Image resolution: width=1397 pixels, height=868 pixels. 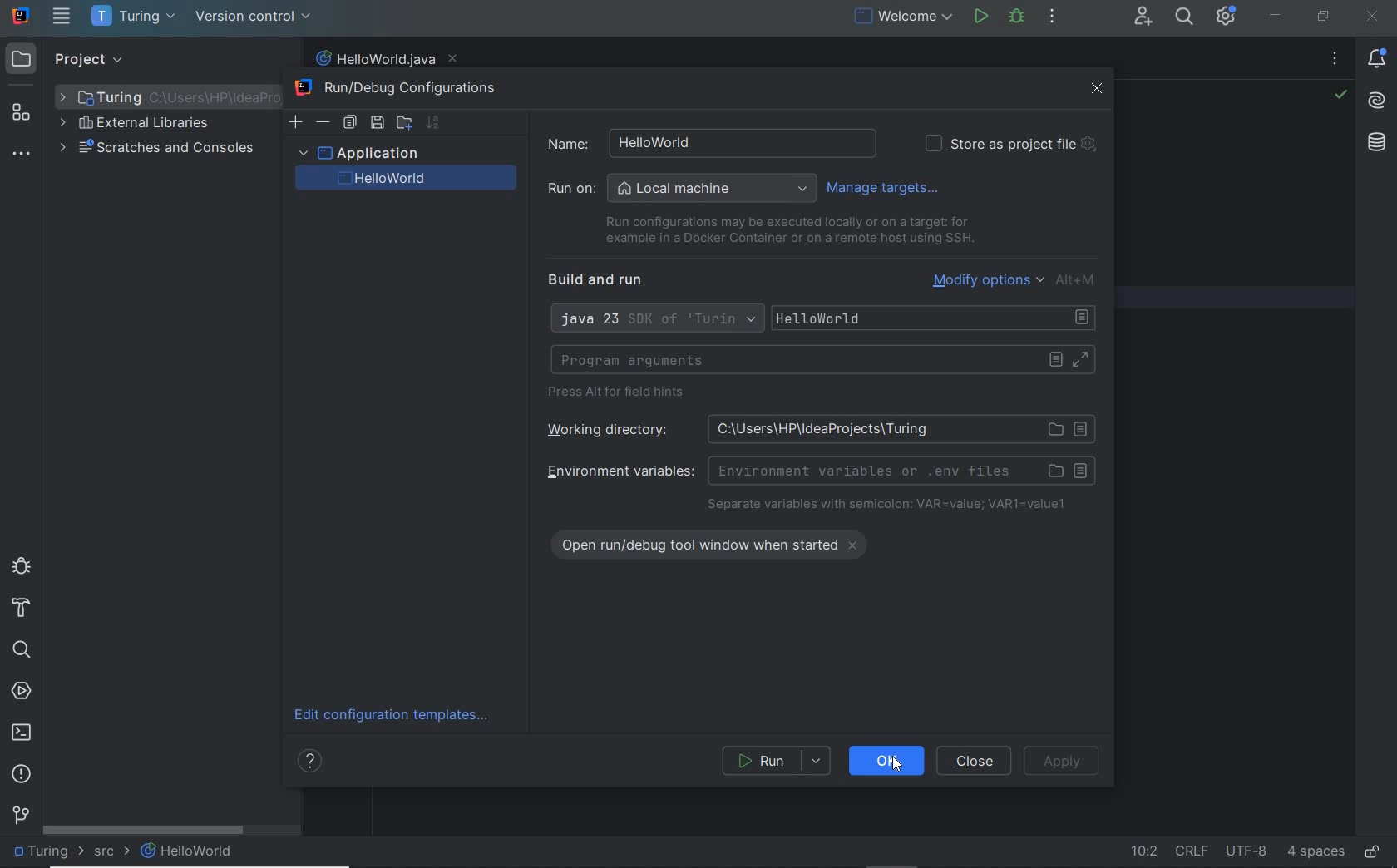 What do you see at coordinates (602, 280) in the screenshot?
I see `Build and Run` at bounding box center [602, 280].